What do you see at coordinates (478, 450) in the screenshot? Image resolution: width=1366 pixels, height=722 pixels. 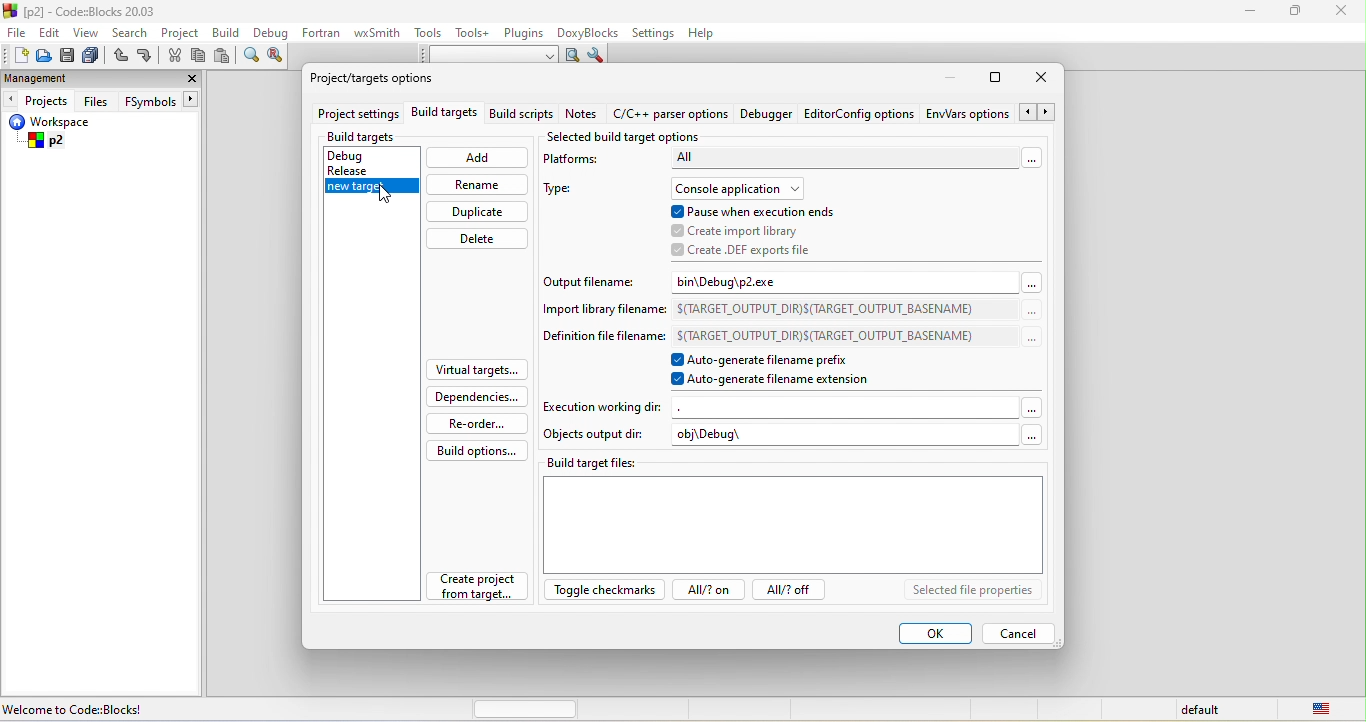 I see `build options` at bounding box center [478, 450].